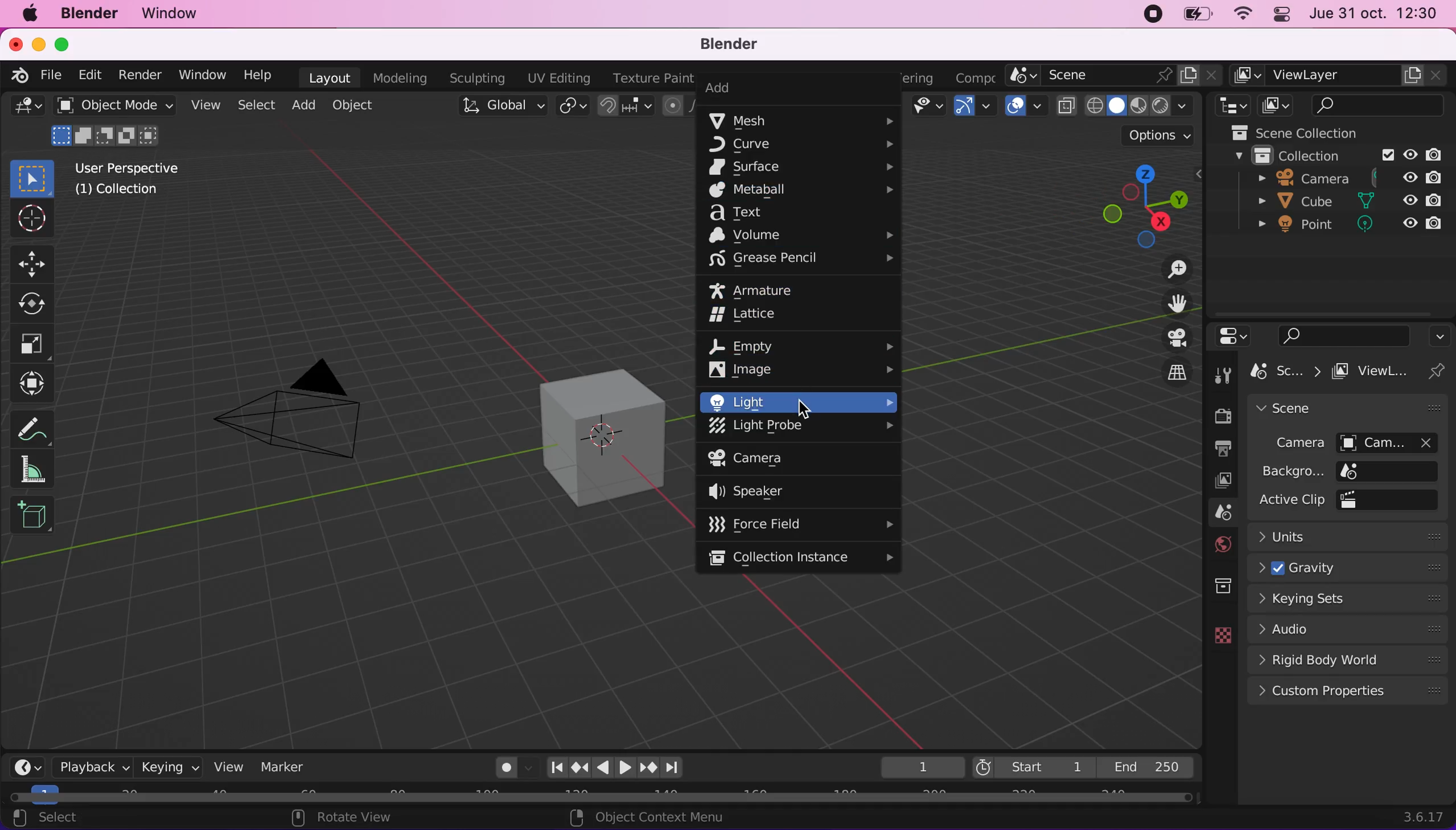 This screenshot has width=1456, height=830. I want to click on exclude from view layer, so click(1386, 154).